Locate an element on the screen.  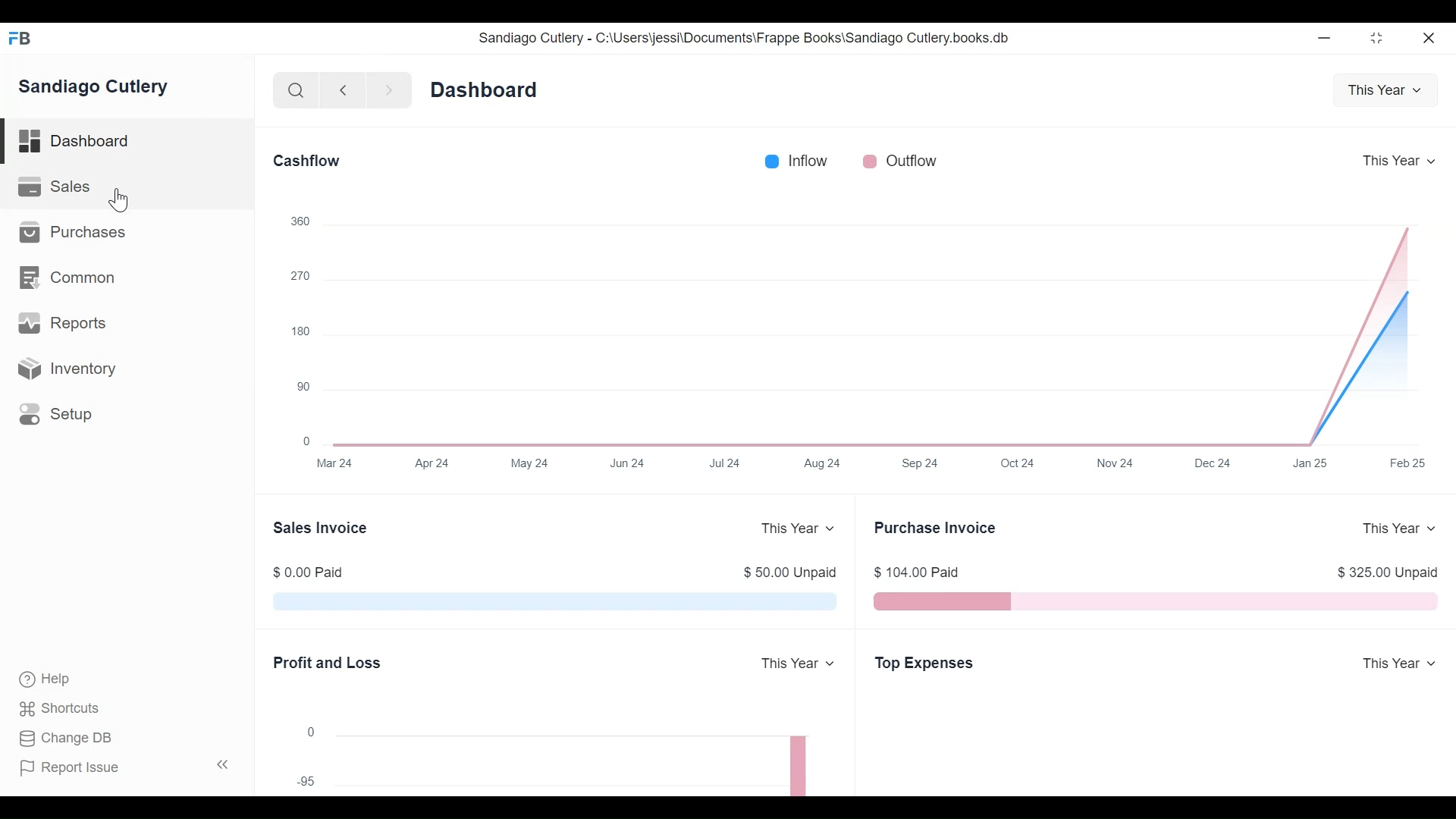
Purchases is located at coordinates (74, 232).